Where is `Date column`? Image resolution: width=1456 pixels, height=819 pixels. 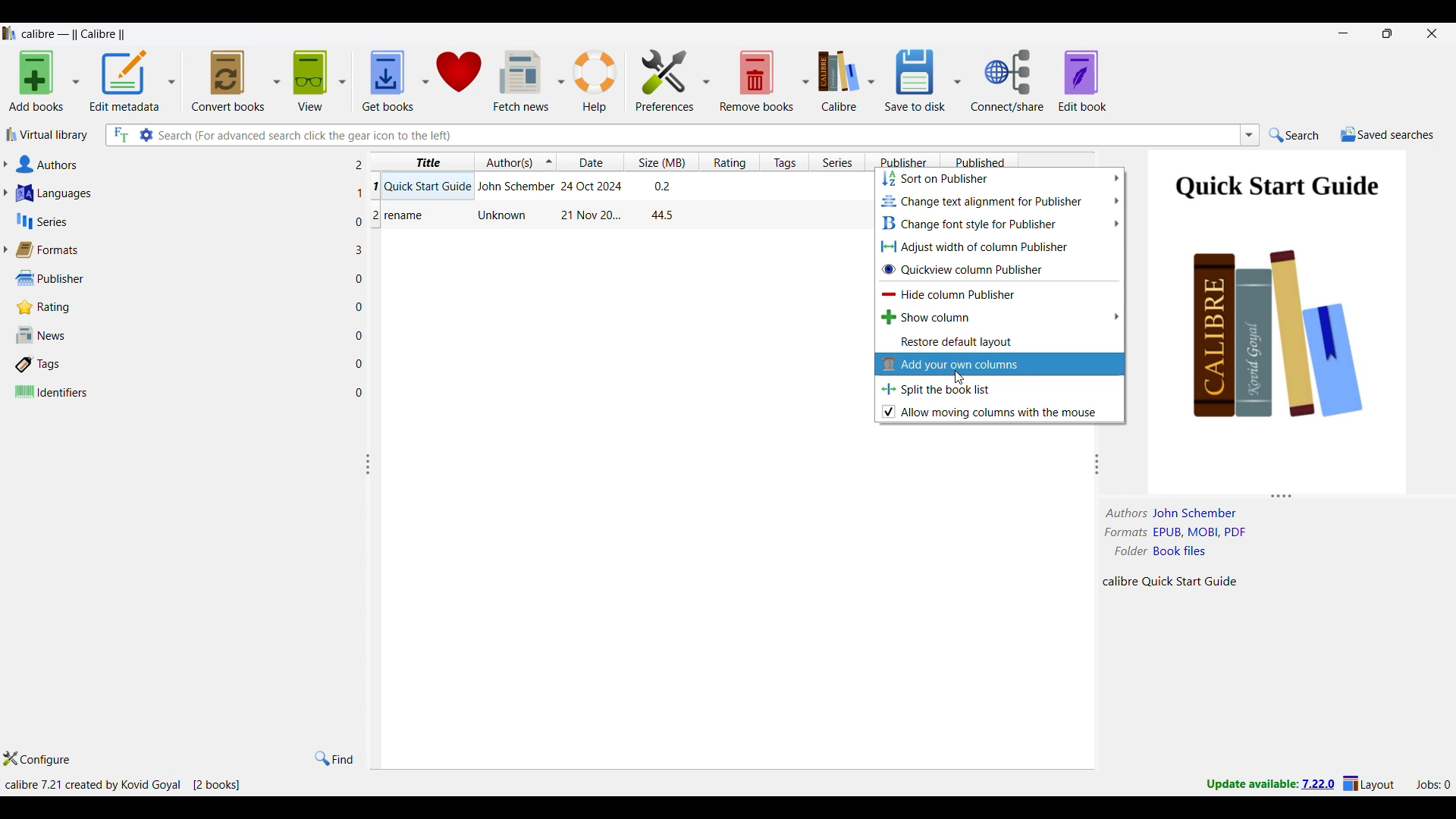
Date column is located at coordinates (590, 162).